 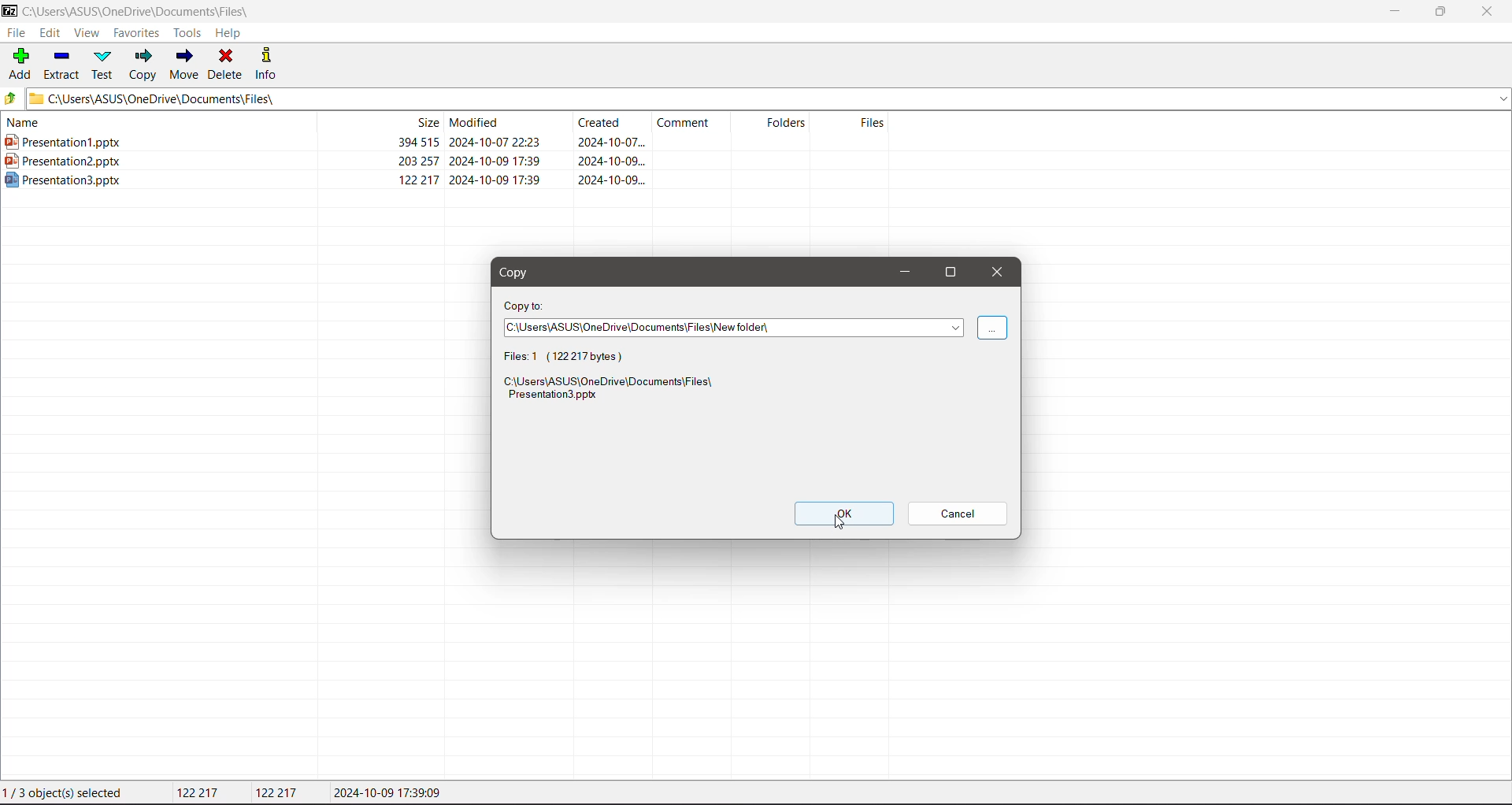 I want to click on Cancel, so click(x=958, y=514).